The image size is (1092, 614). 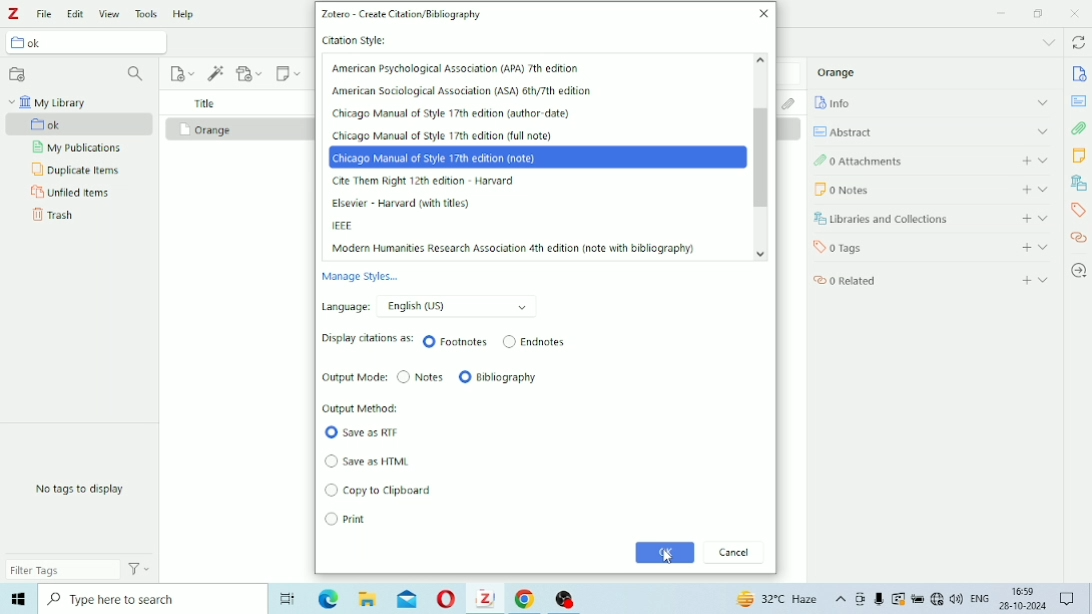 I want to click on Locate, so click(x=1078, y=271).